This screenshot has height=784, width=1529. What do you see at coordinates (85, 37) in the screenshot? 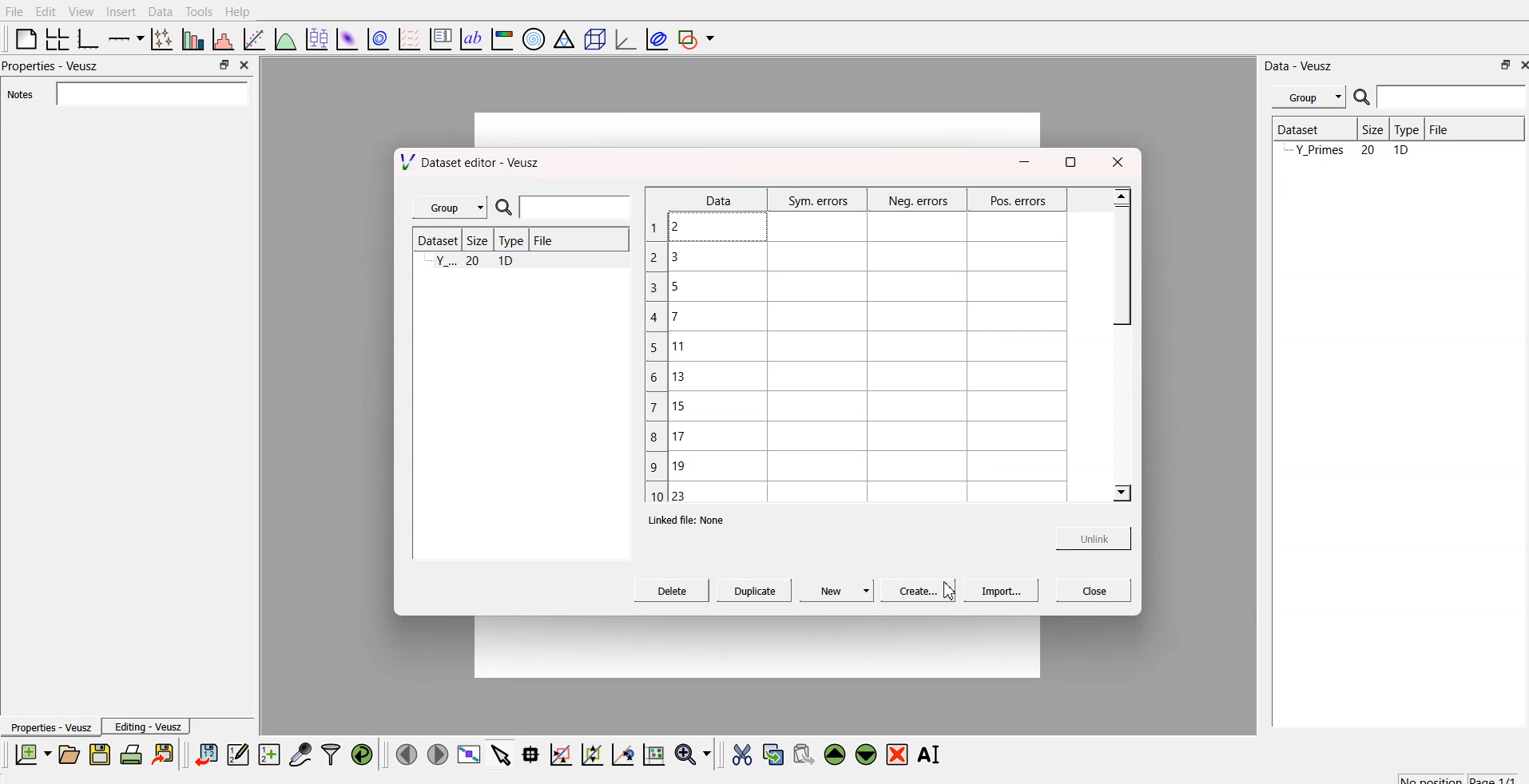
I see `base graph` at bounding box center [85, 37].